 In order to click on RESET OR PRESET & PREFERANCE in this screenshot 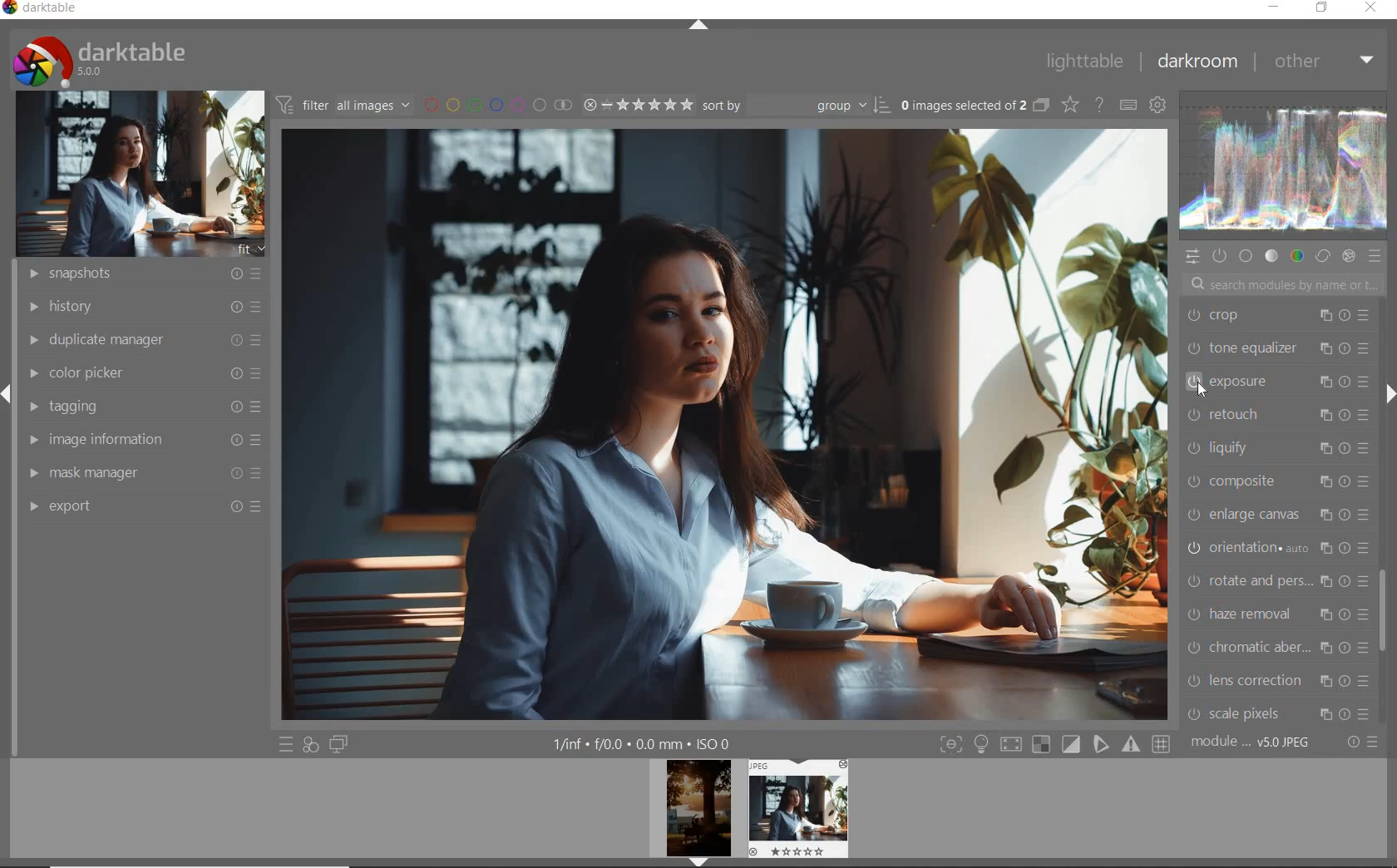, I will do `click(1360, 745)`.